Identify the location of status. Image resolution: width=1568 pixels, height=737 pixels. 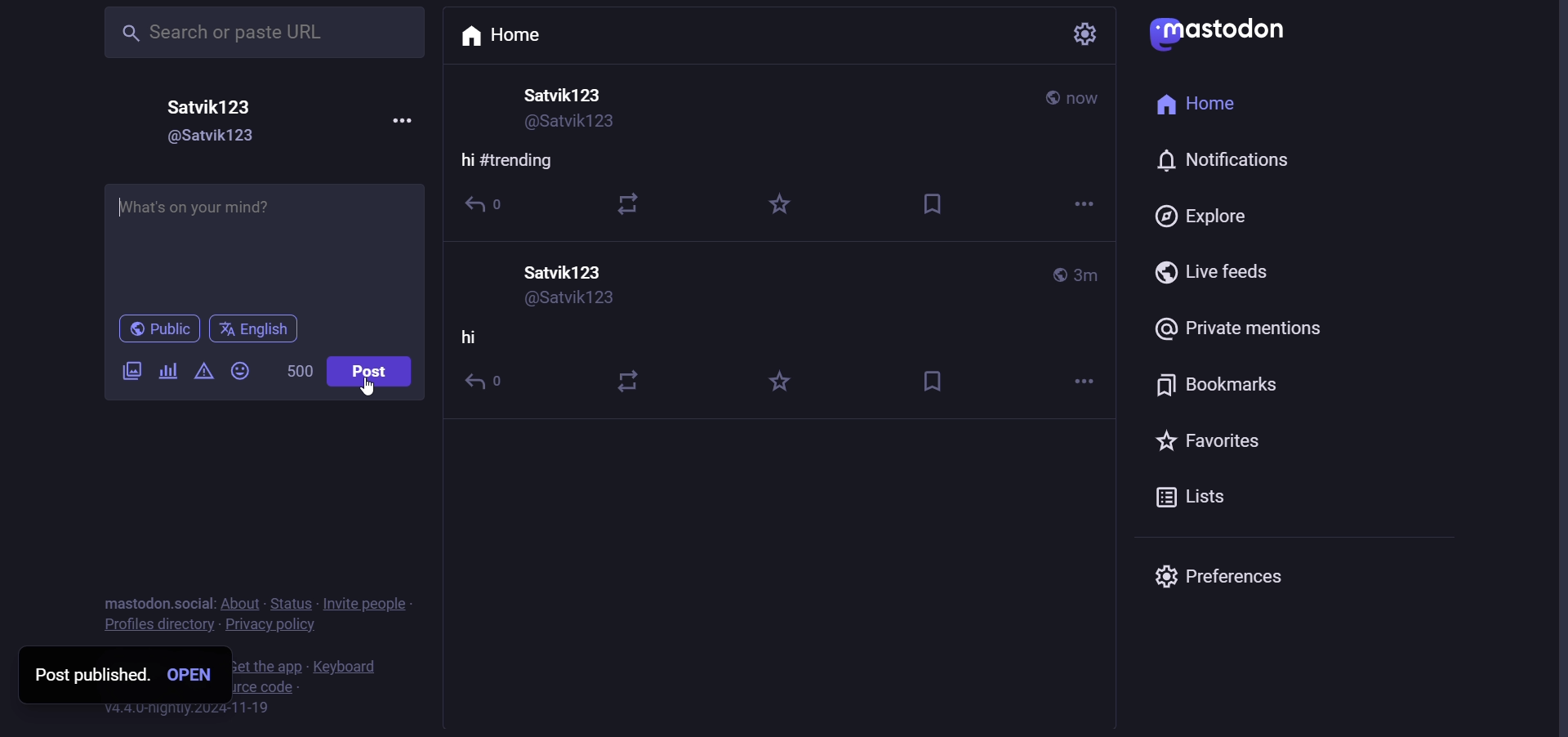
(291, 605).